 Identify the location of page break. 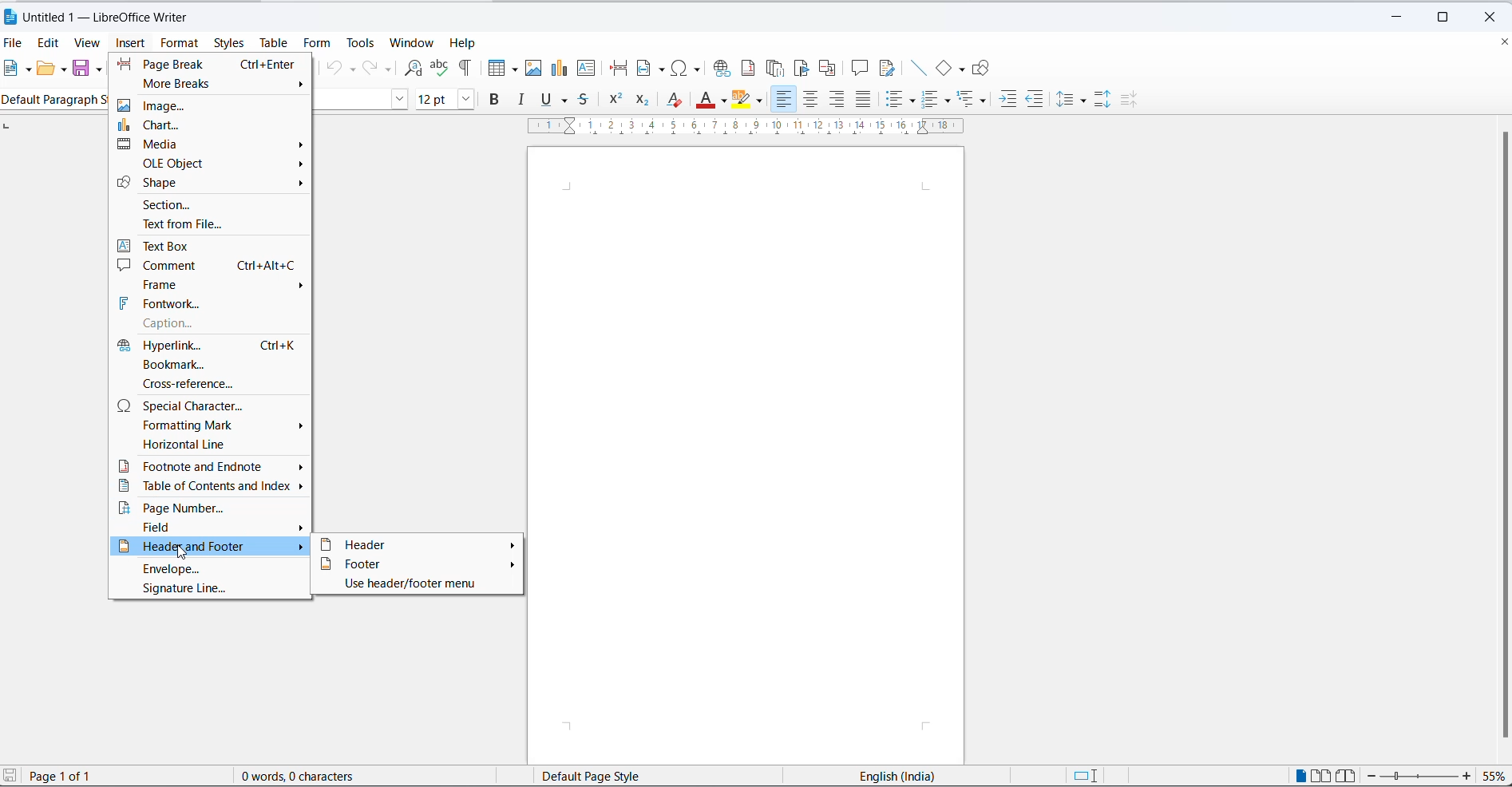
(618, 69).